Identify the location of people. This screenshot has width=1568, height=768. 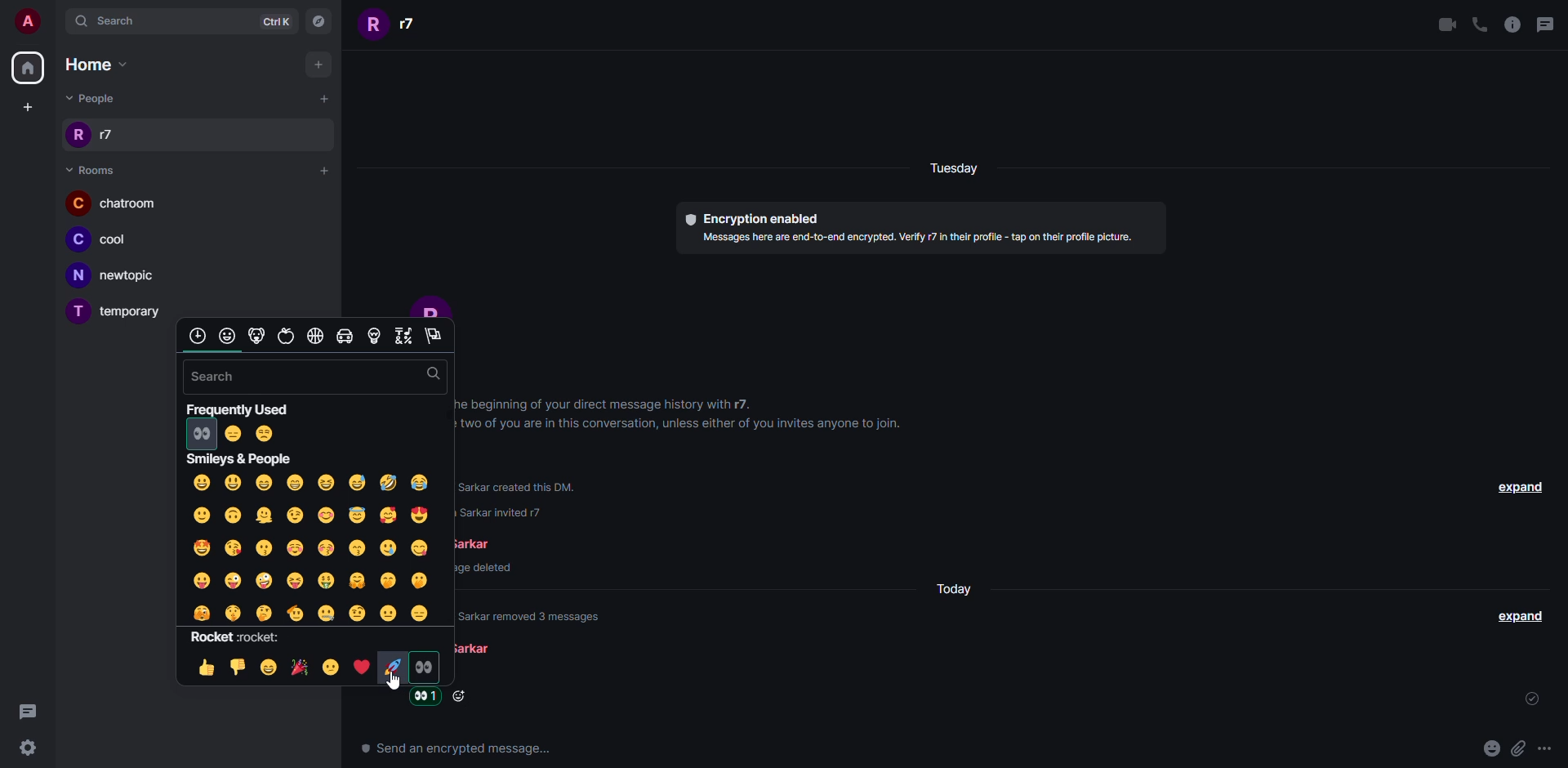
(488, 542).